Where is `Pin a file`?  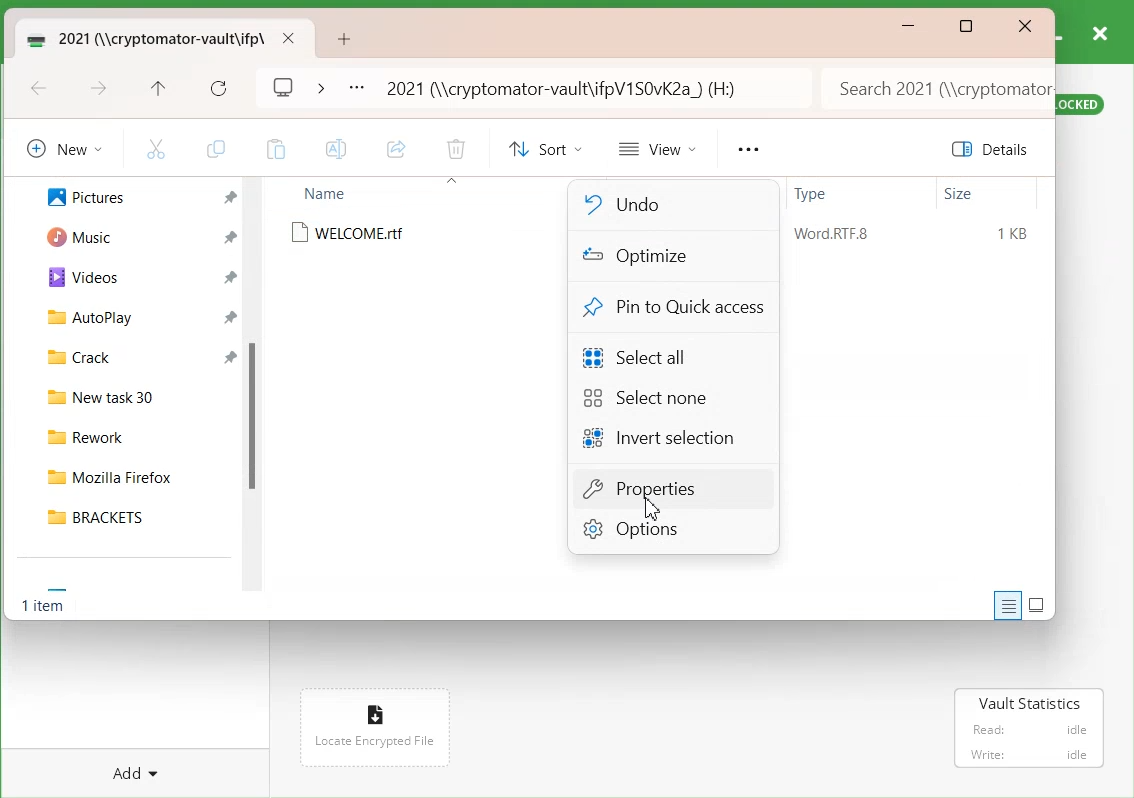 Pin a file is located at coordinates (232, 277).